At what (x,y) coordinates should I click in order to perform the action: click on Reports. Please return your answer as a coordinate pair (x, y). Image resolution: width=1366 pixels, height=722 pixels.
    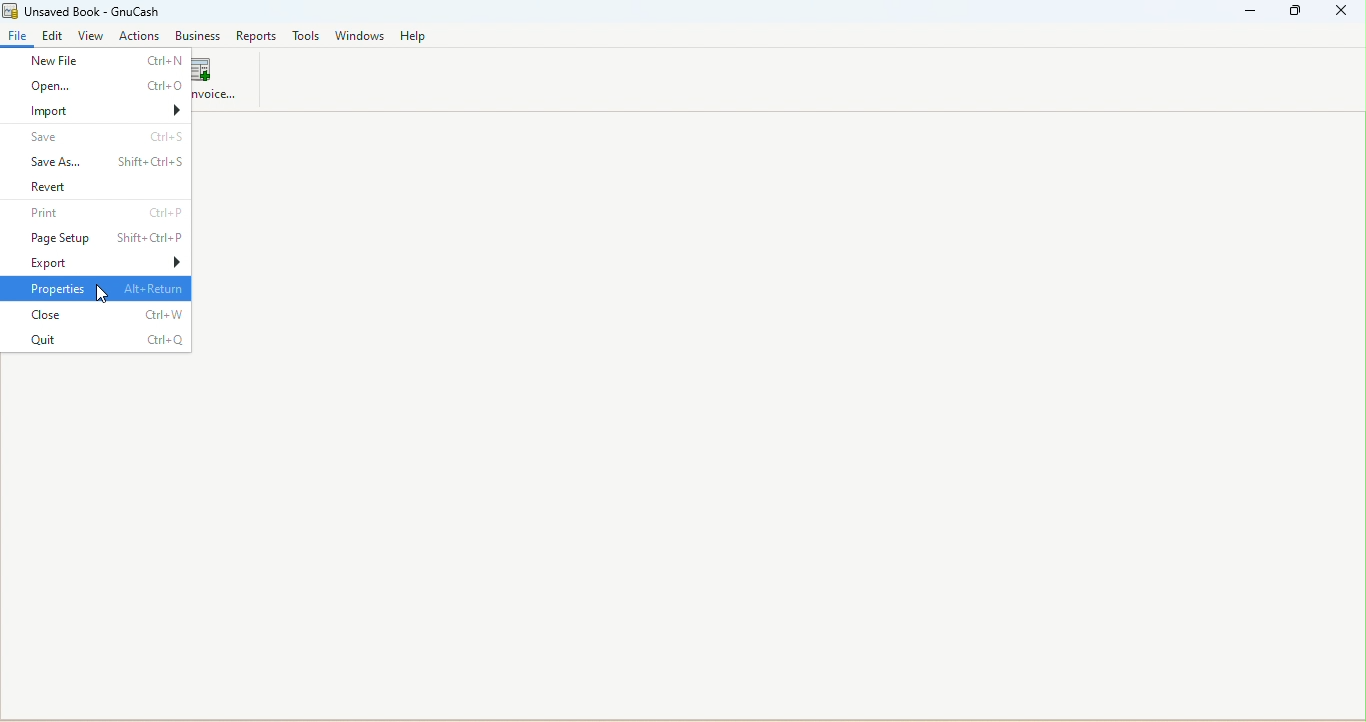
    Looking at the image, I should click on (253, 35).